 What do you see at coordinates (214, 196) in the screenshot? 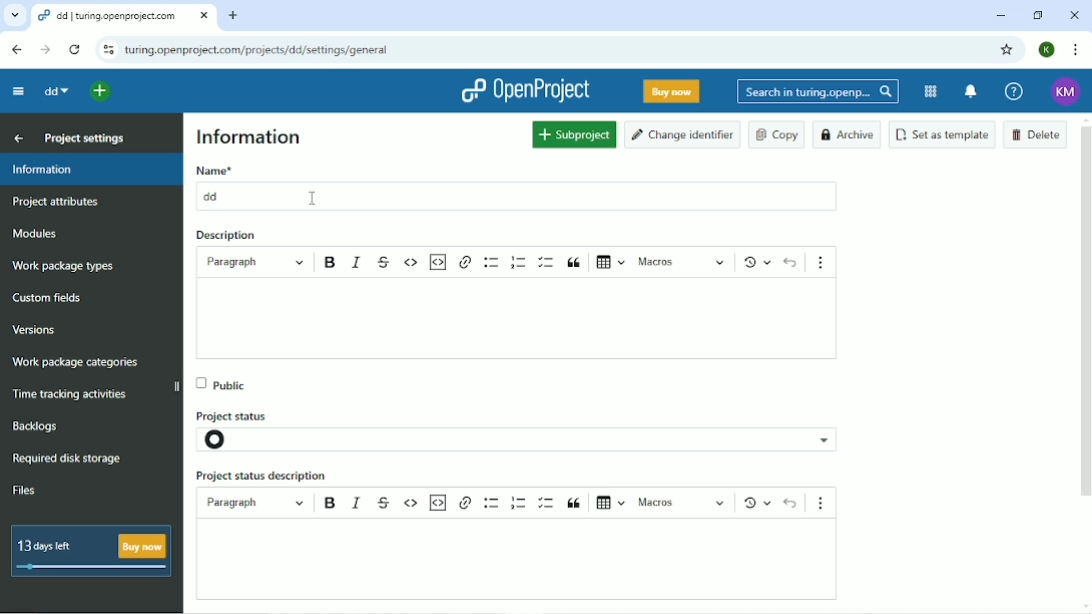
I see `dd` at bounding box center [214, 196].